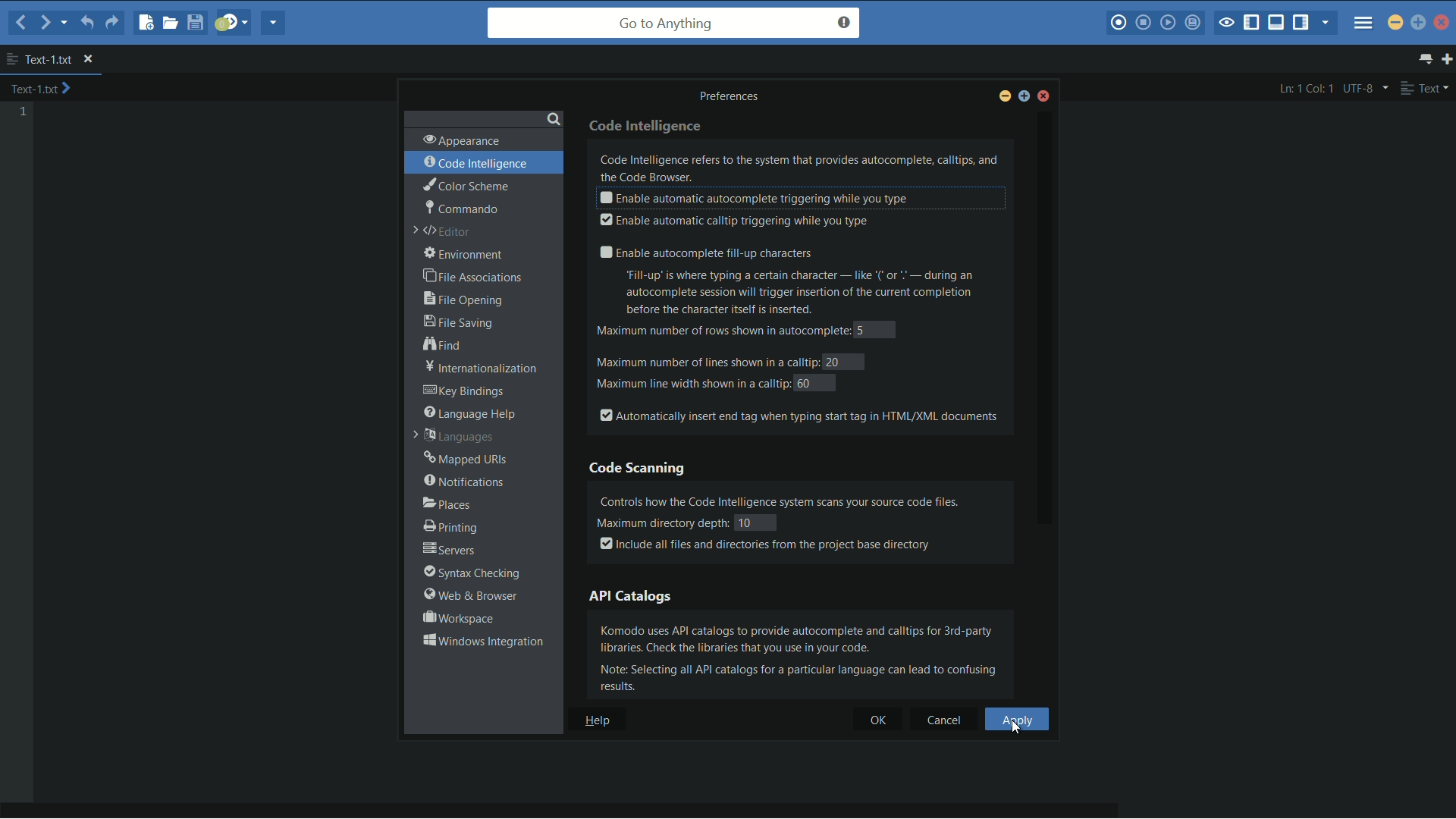 This screenshot has width=1456, height=819. Describe the element at coordinates (444, 346) in the screenshot. I see `find` at that location.